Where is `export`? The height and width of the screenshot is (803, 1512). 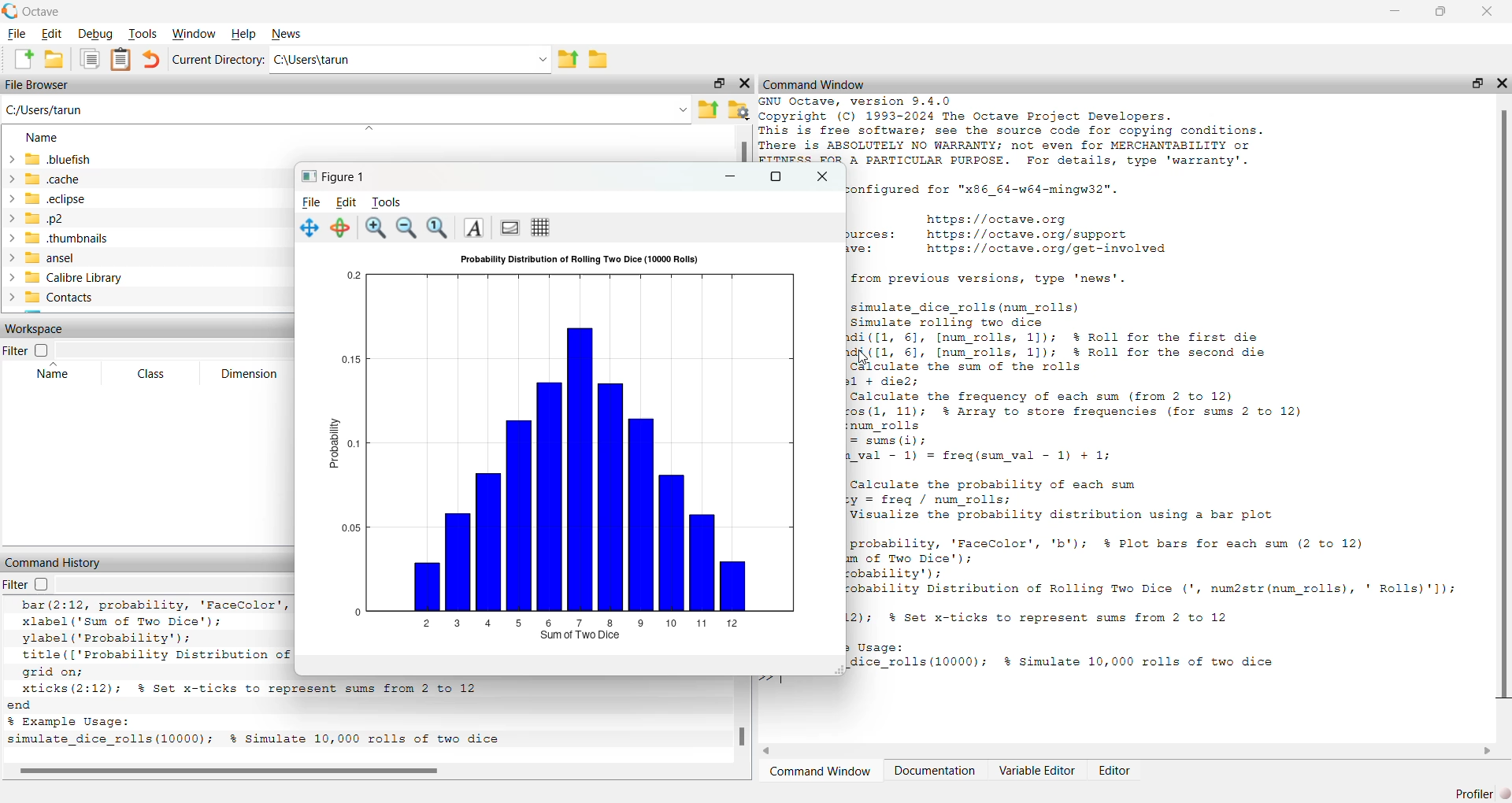
export is located at coordinates (710, 109).